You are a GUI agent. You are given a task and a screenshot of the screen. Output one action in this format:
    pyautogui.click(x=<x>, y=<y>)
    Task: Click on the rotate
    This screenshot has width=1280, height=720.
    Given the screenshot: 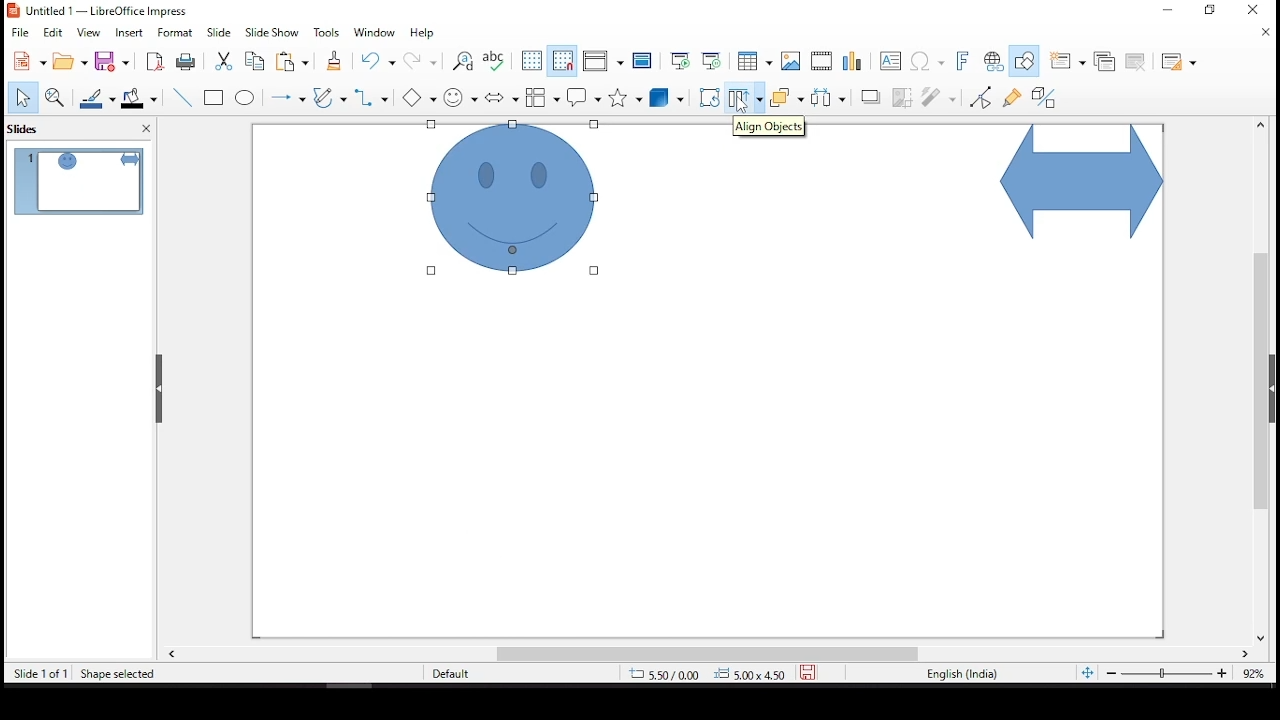 What is the action you would take?
    pyautogui.click(x=709, y=97)
    